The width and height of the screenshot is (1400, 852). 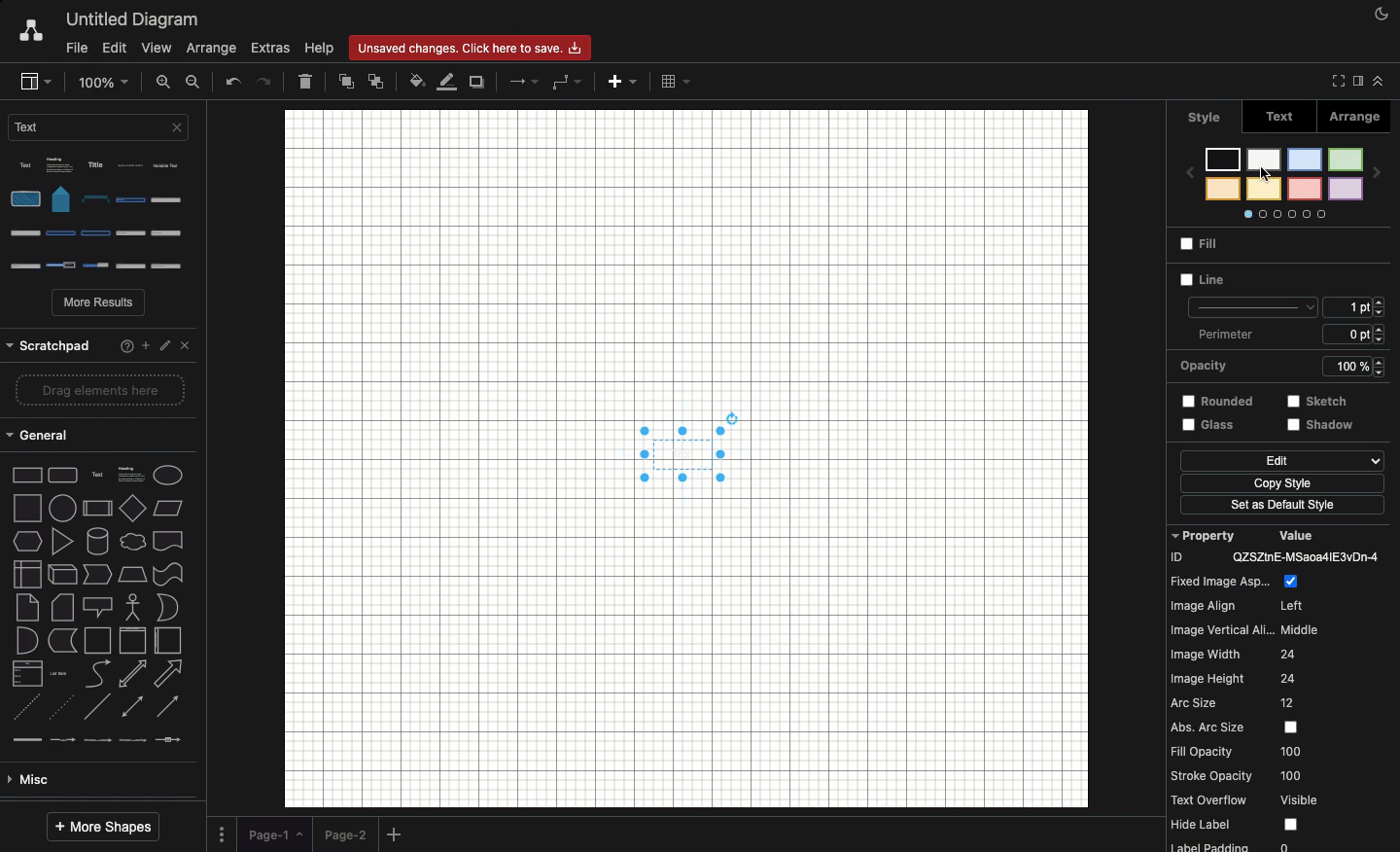 I want to click on Styles, so click(x=1278, y=186).